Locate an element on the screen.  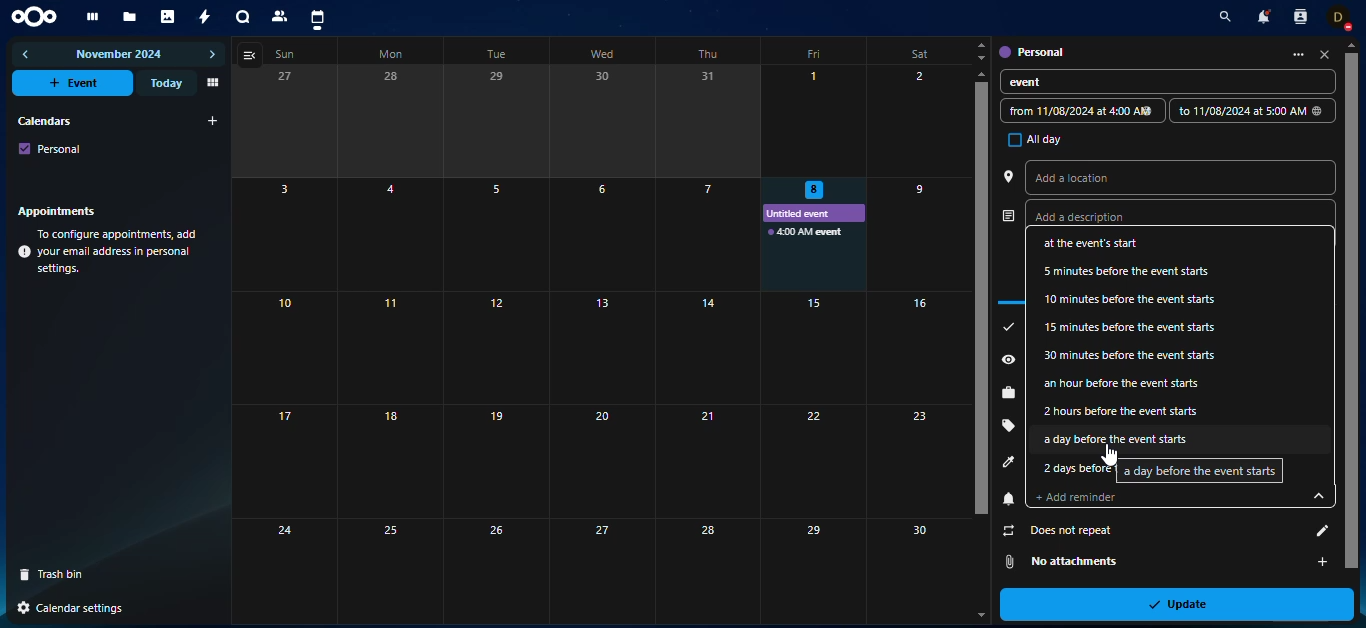
20 is located at coordinates (602, 461).